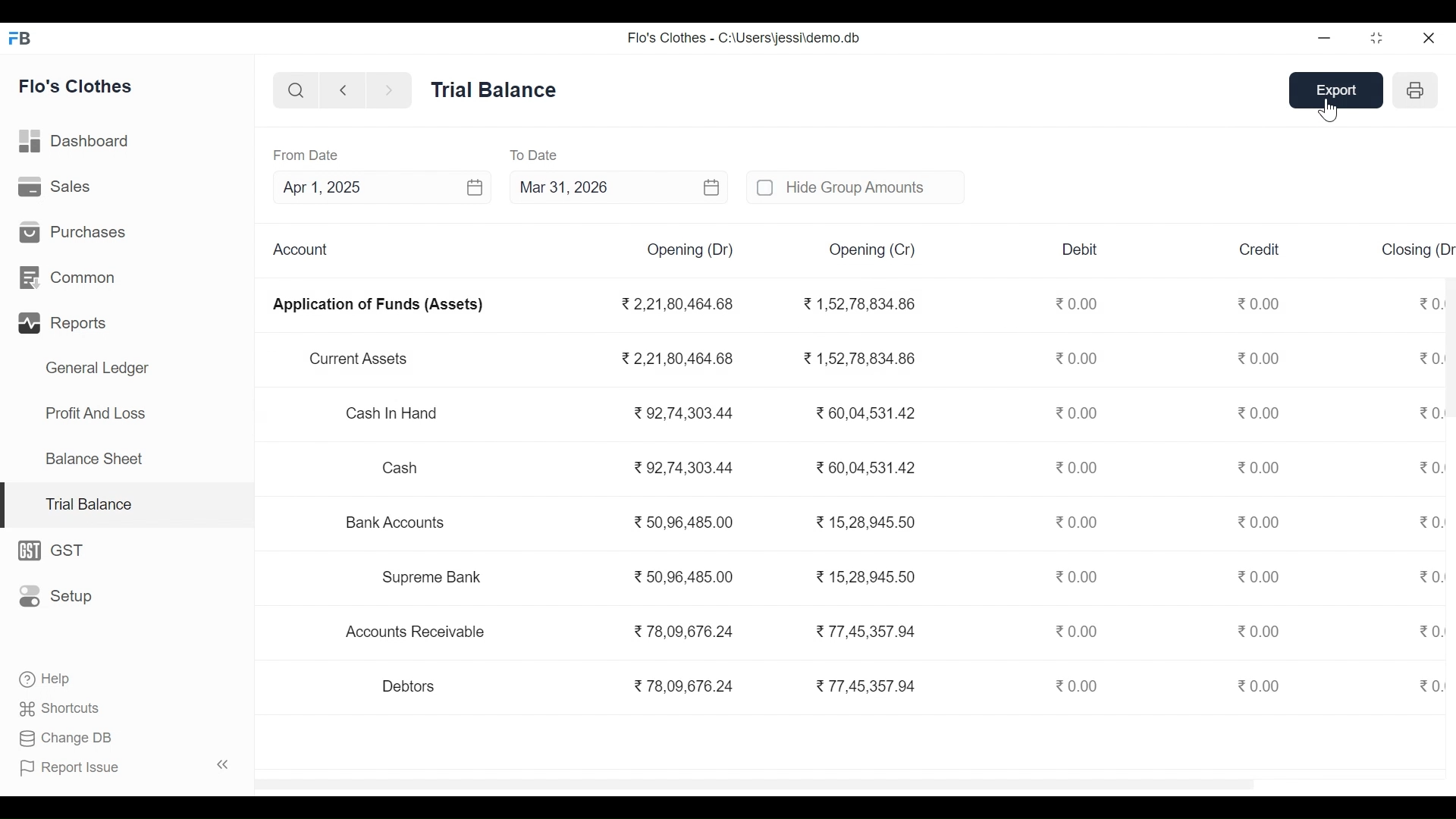 This screenshot has width=1456, height=819. I want to click on Move Forward, so click(390, 90).